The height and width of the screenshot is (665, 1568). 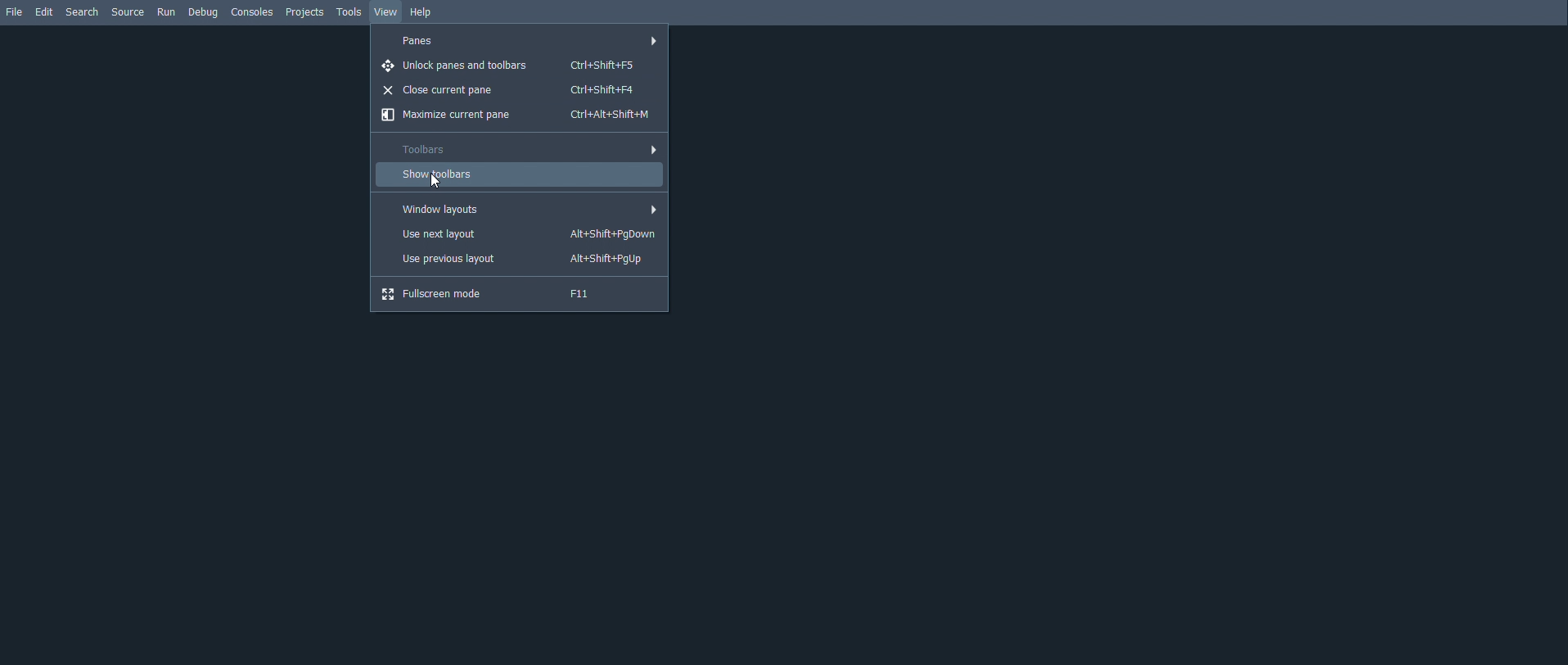 What do you see at coordinates (508, 90) in the screenshot?
I see `Close current pane` at bounding box center [508, 90].